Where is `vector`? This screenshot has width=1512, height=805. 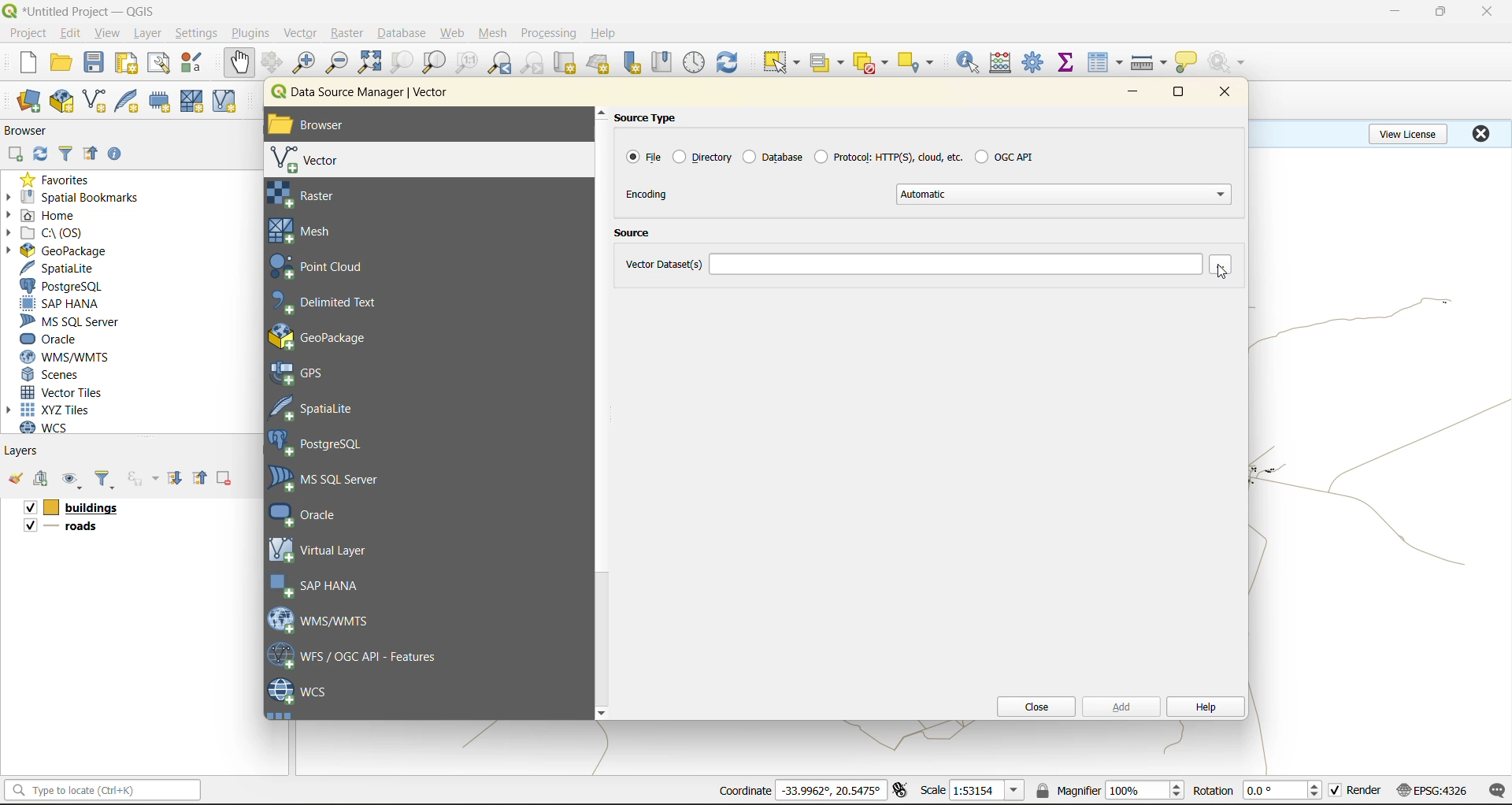
vector is located at coordinates (316, 160).